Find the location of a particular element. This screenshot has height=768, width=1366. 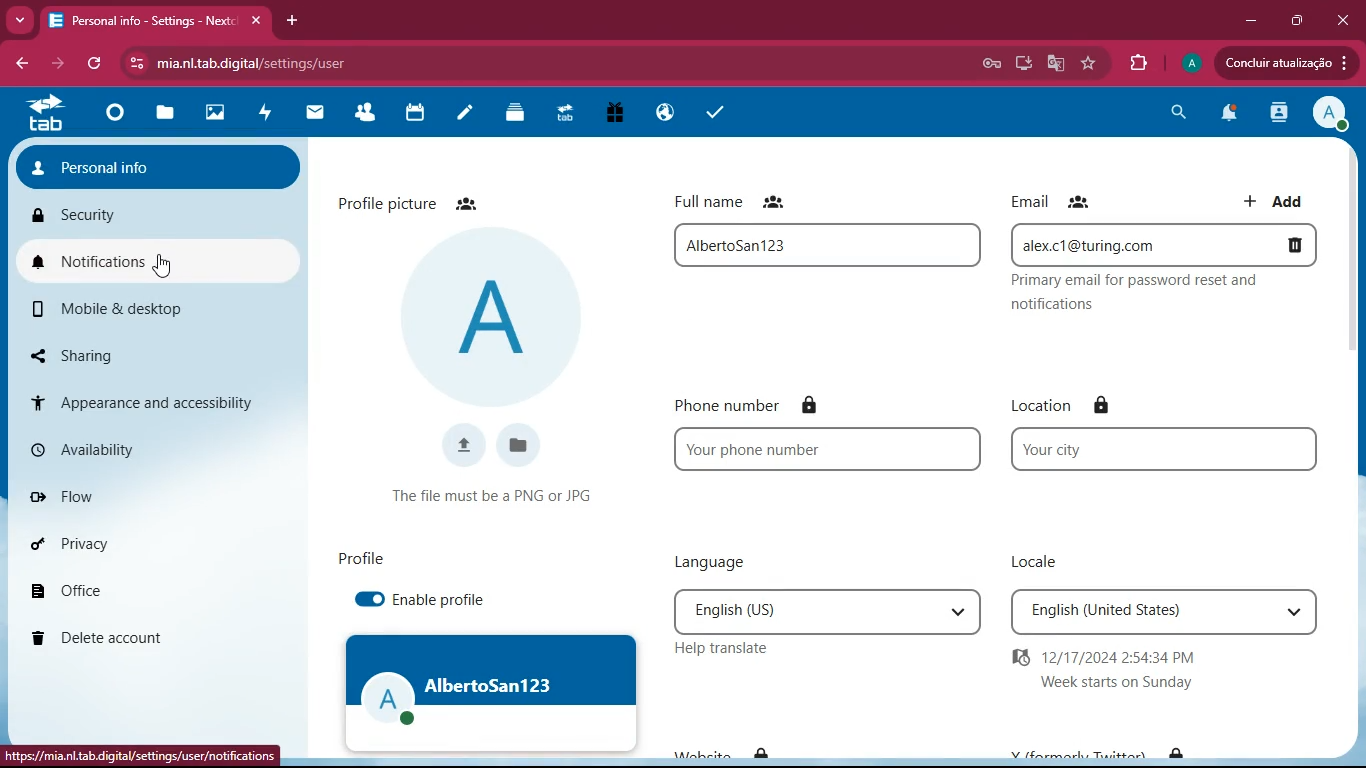

profile is located at coordinates (1188, 63).